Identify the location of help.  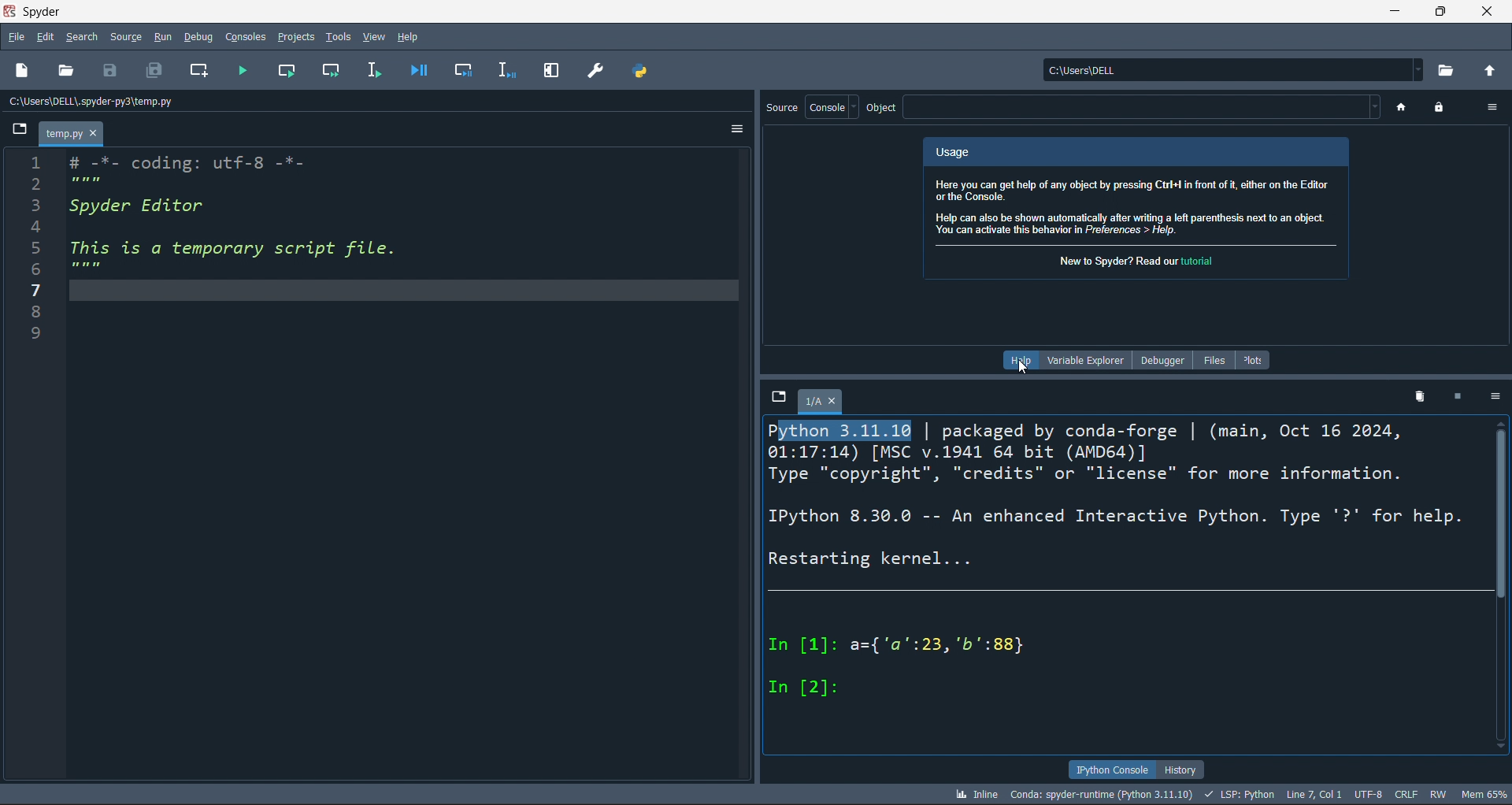
(411, 38).